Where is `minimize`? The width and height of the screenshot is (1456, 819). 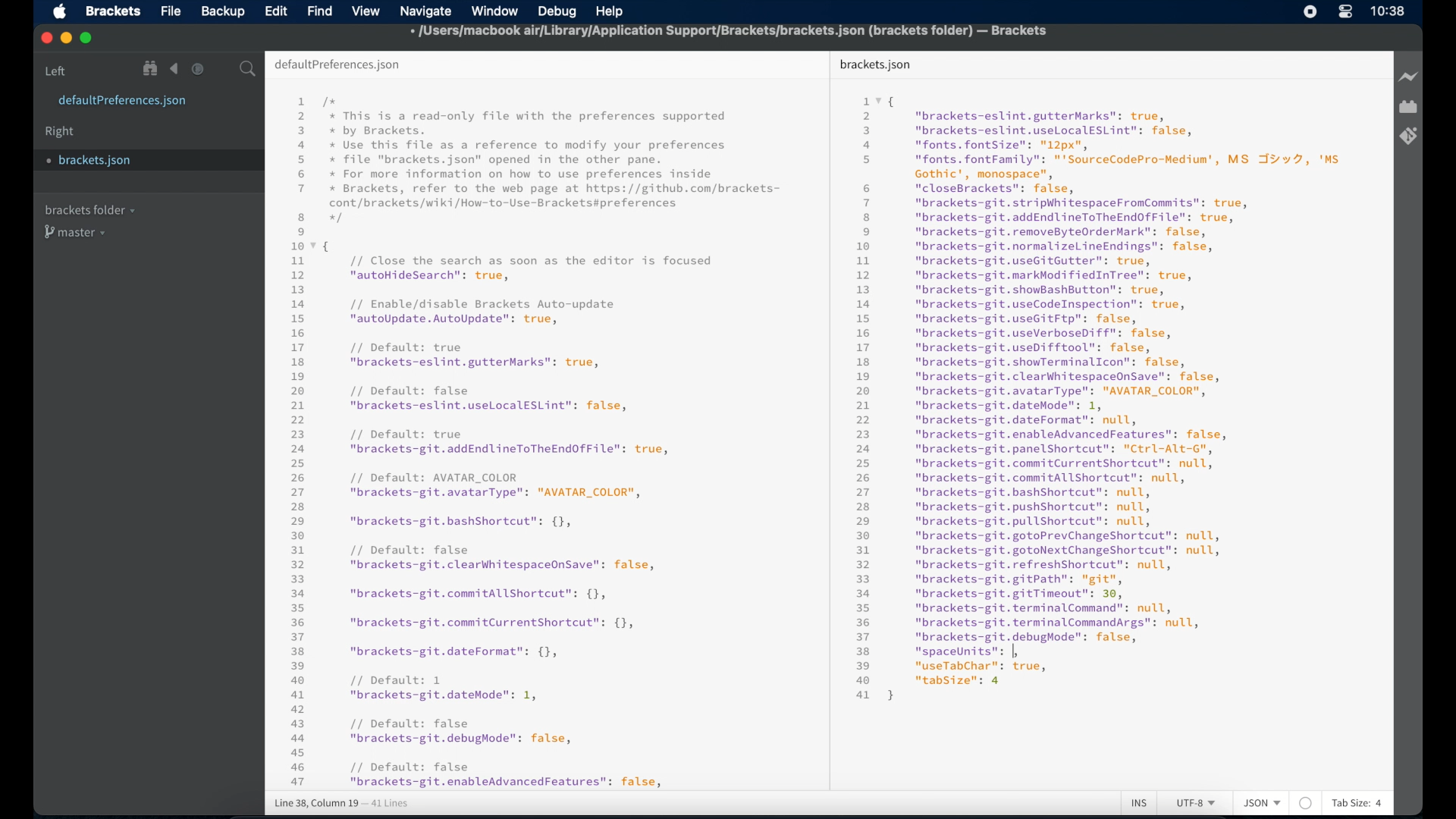
minimize is located at coordinates (67, 39).